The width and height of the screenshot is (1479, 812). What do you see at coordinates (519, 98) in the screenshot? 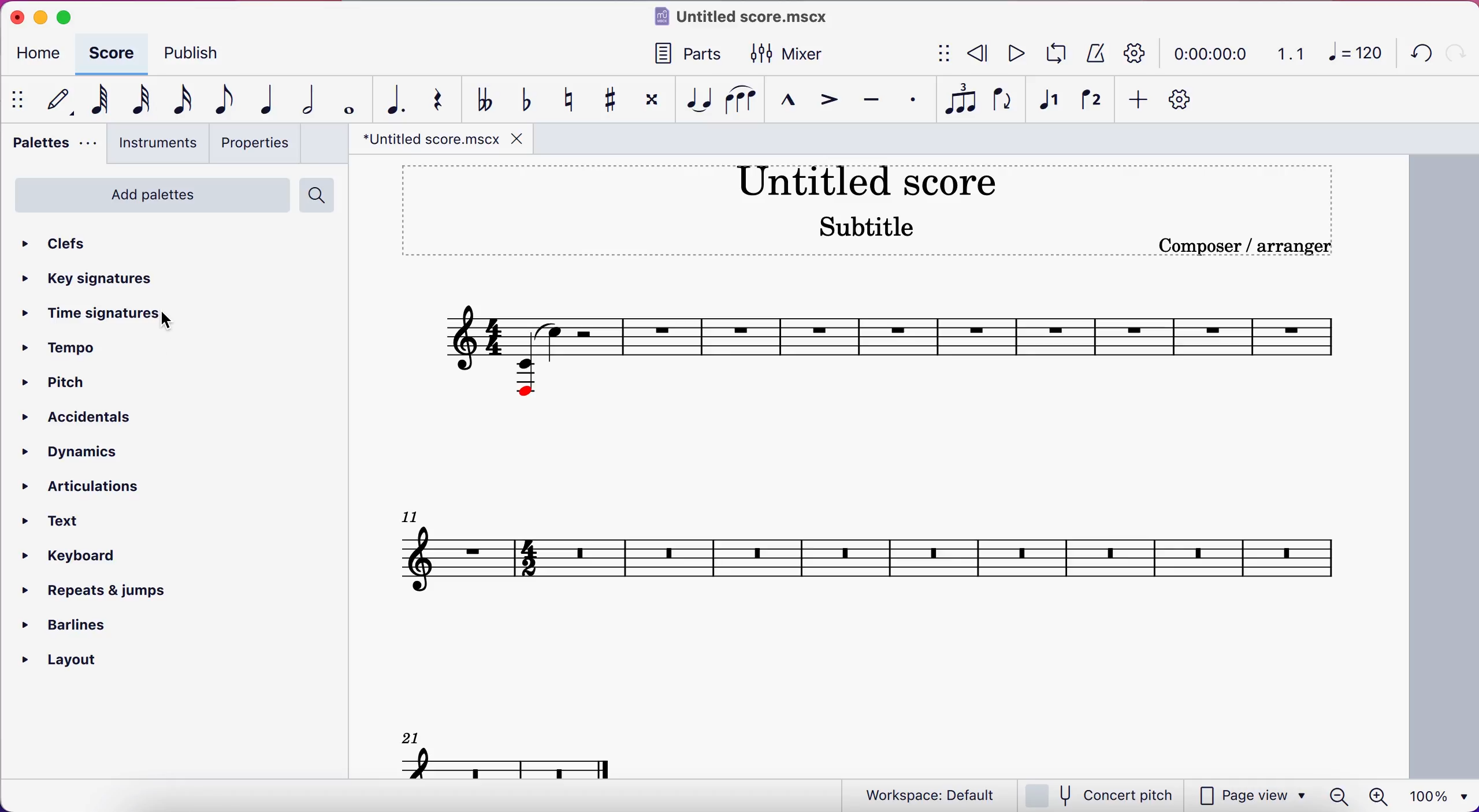
I see `double flat` at bounding box center [519, 98].